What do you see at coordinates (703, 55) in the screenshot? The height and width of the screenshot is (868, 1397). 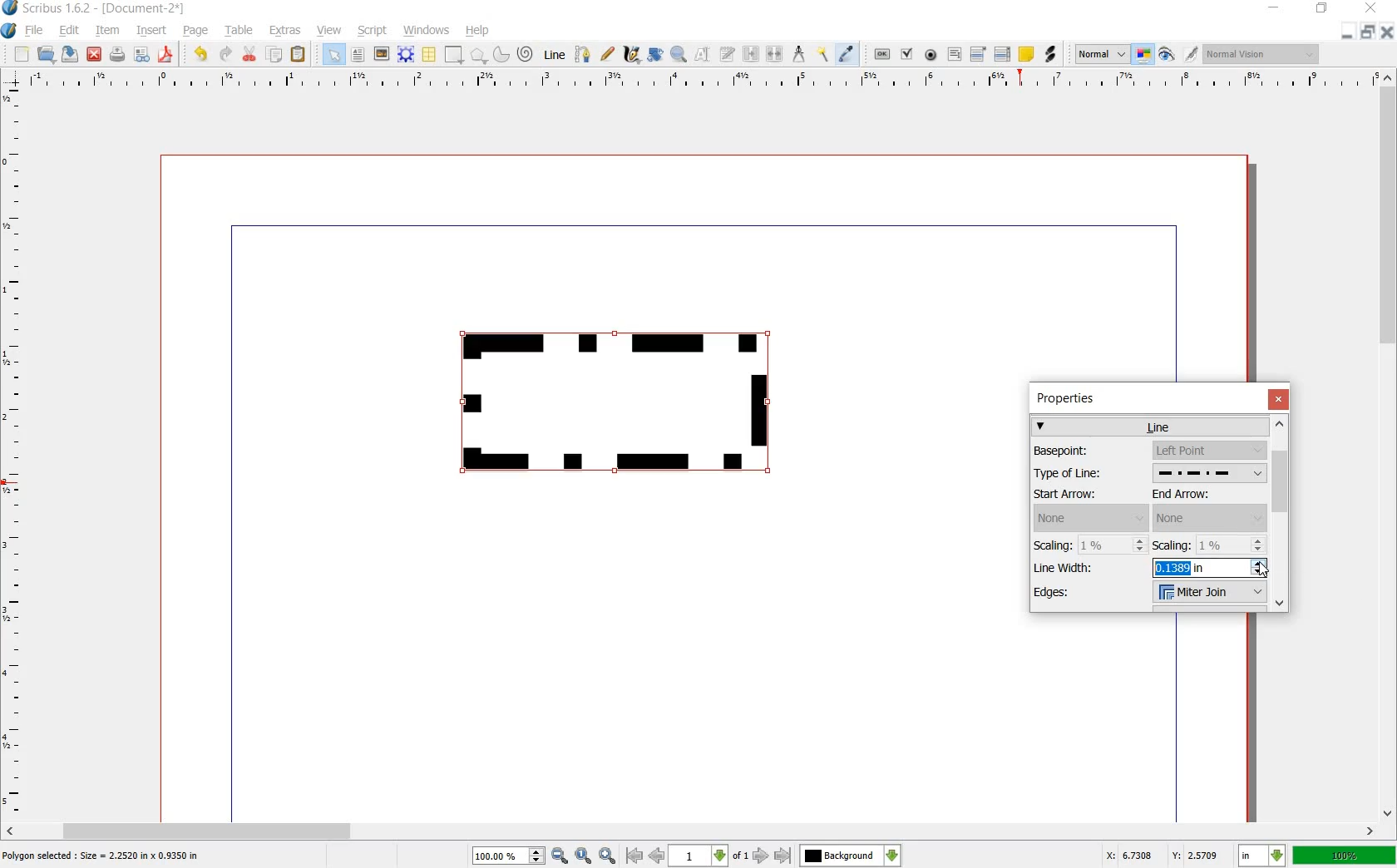 I see `EDIT CONTENTS OF FRAME` at bounding box center [703, 55].